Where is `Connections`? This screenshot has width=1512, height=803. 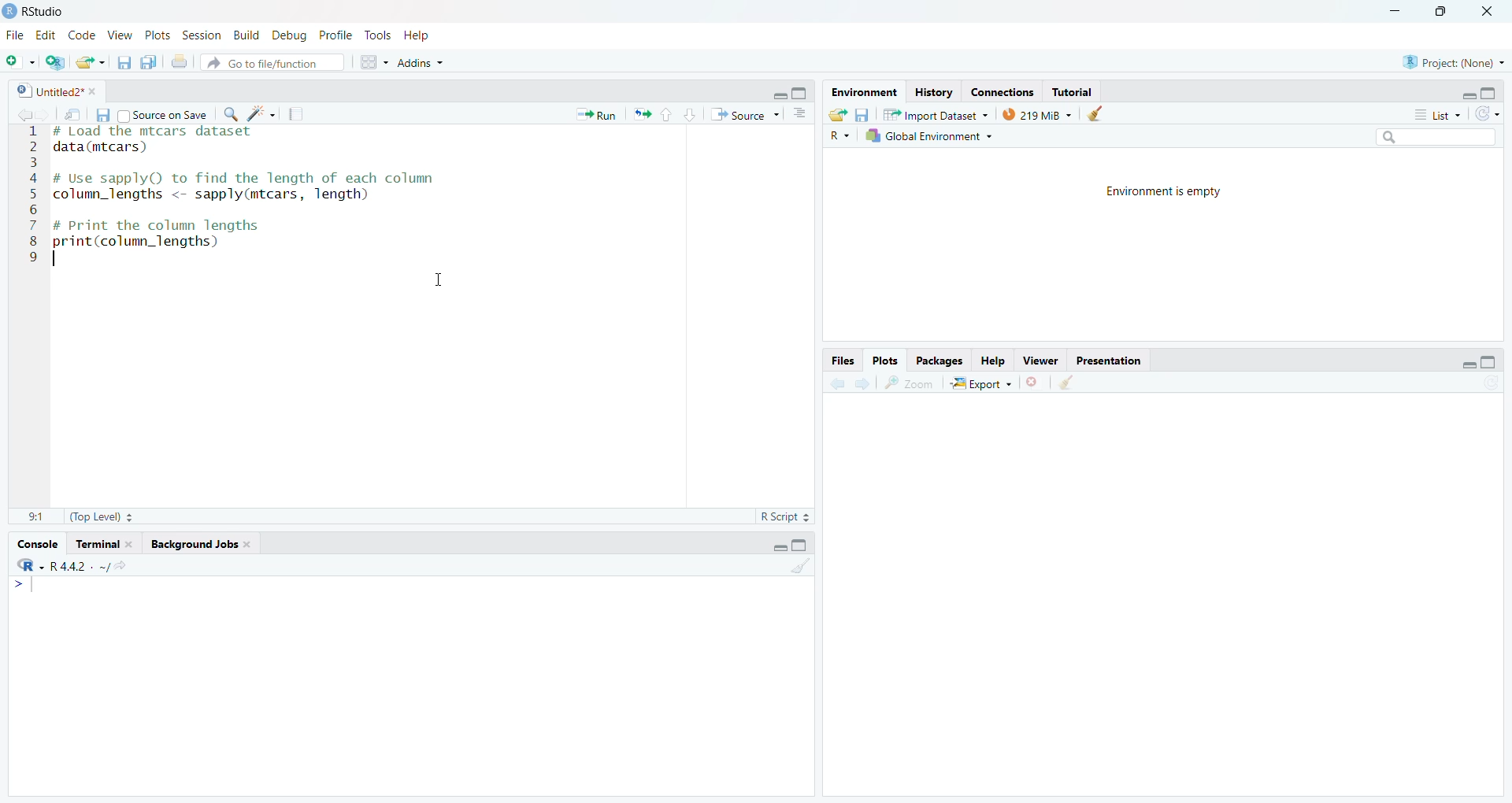 Connections is located at coordinates (1003, 91).